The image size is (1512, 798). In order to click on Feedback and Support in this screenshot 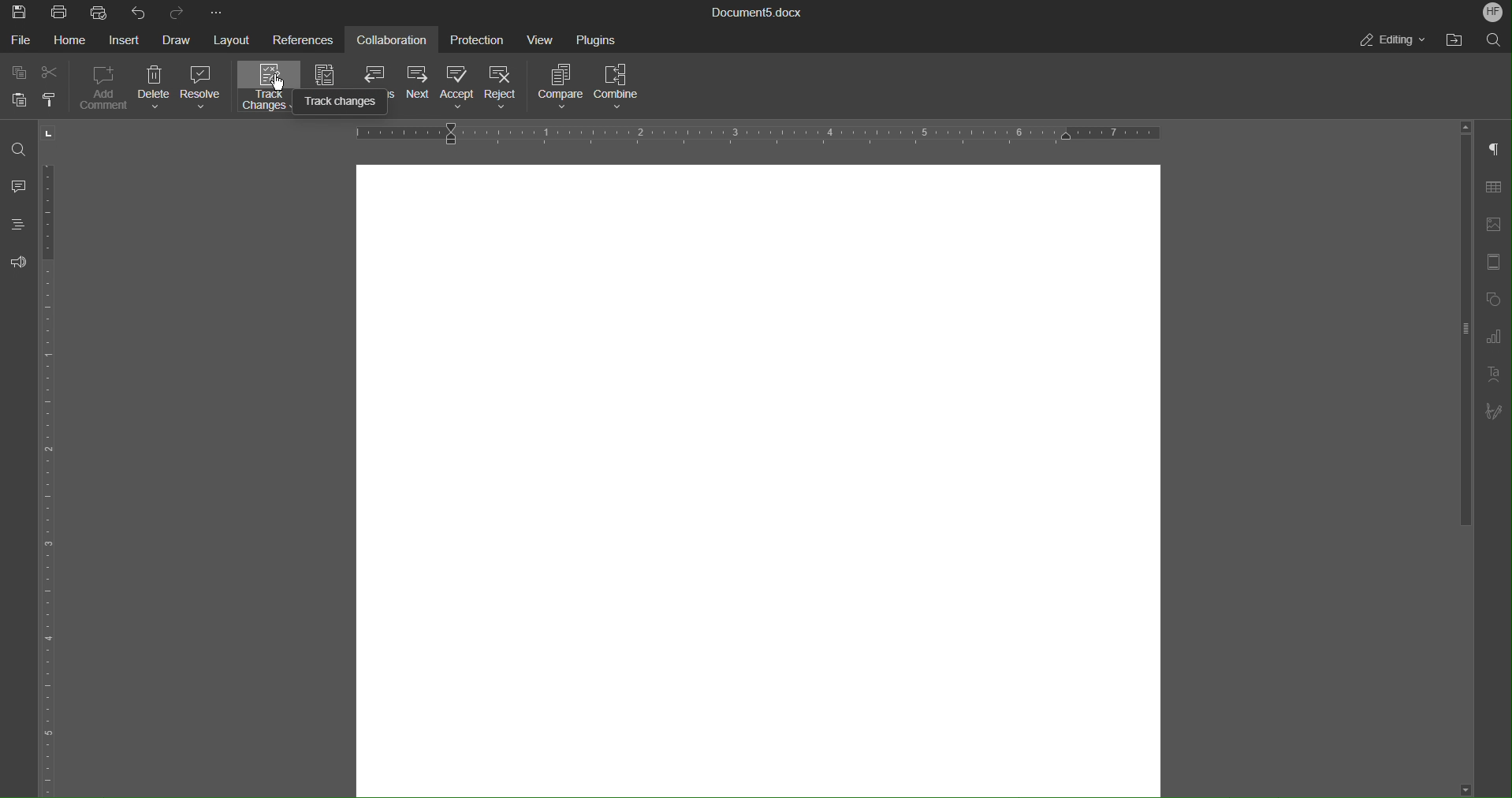, I will do `click(20, 268)`.